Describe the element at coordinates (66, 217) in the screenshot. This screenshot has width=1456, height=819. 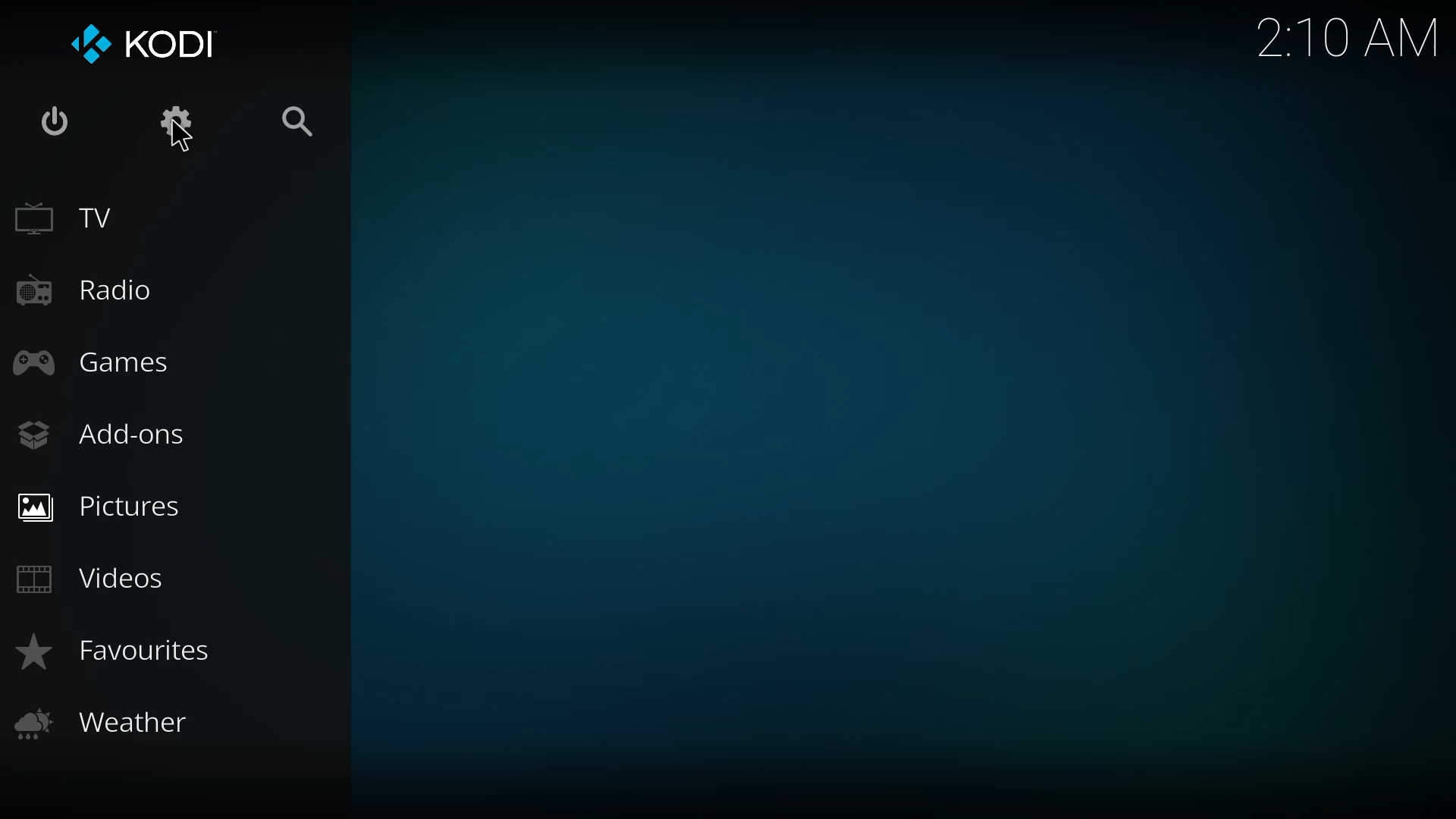
I see `tv` at that location.